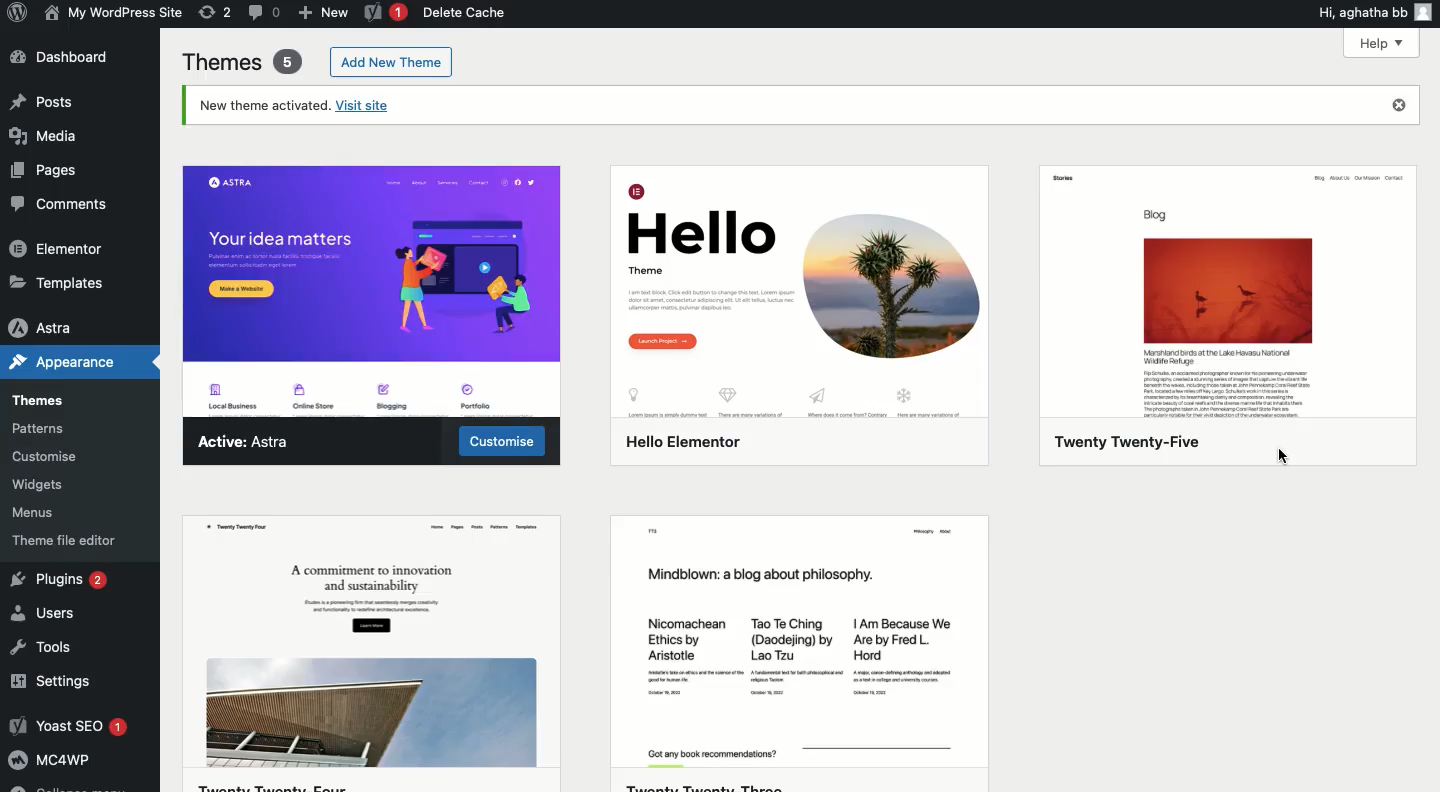  Describe the element at coordinates (71, 722) in the screenshot. I see `Yoast SEO 1` at that location.